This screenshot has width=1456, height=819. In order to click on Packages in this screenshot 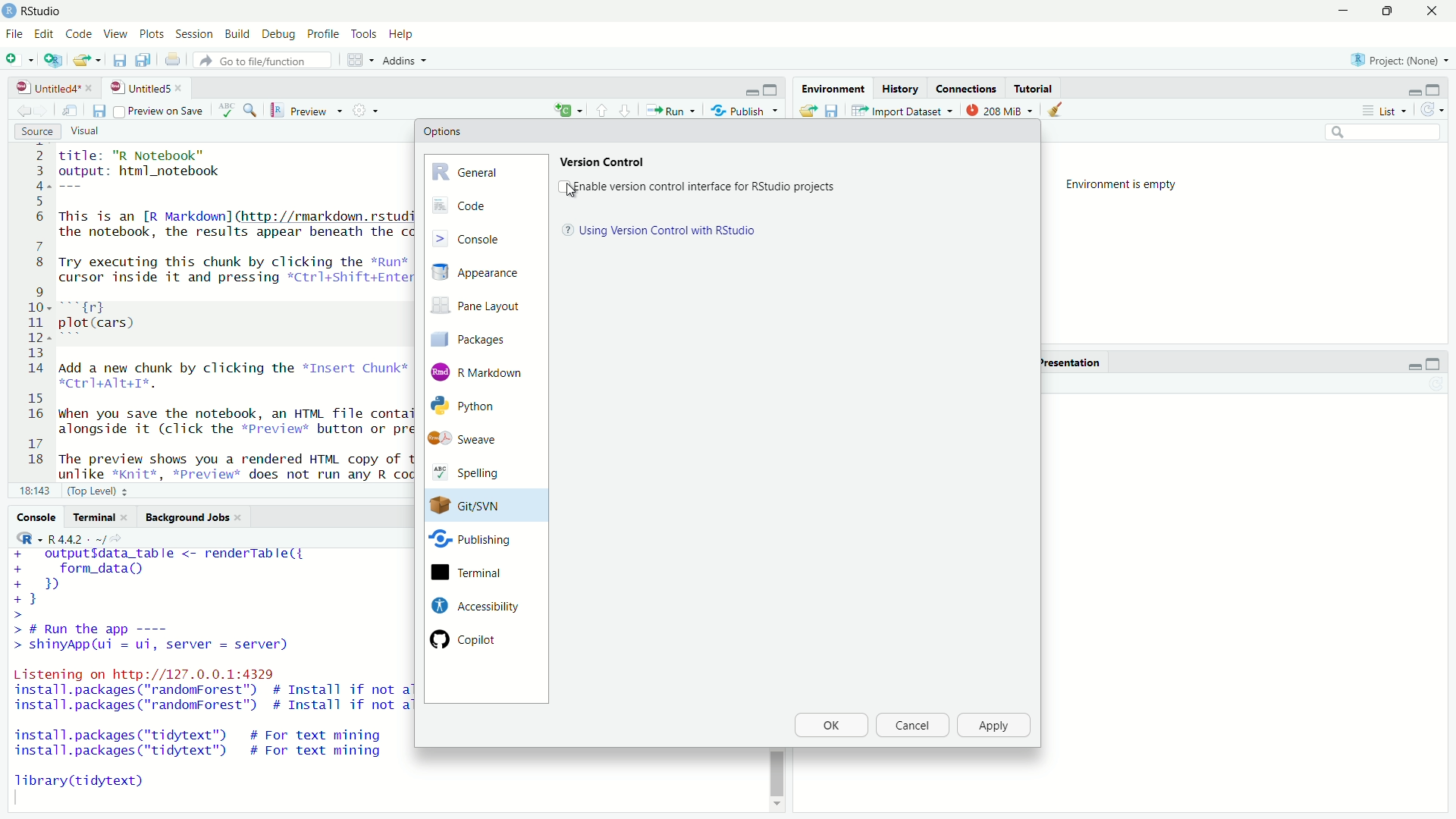, I will do `click(481, 338)`.